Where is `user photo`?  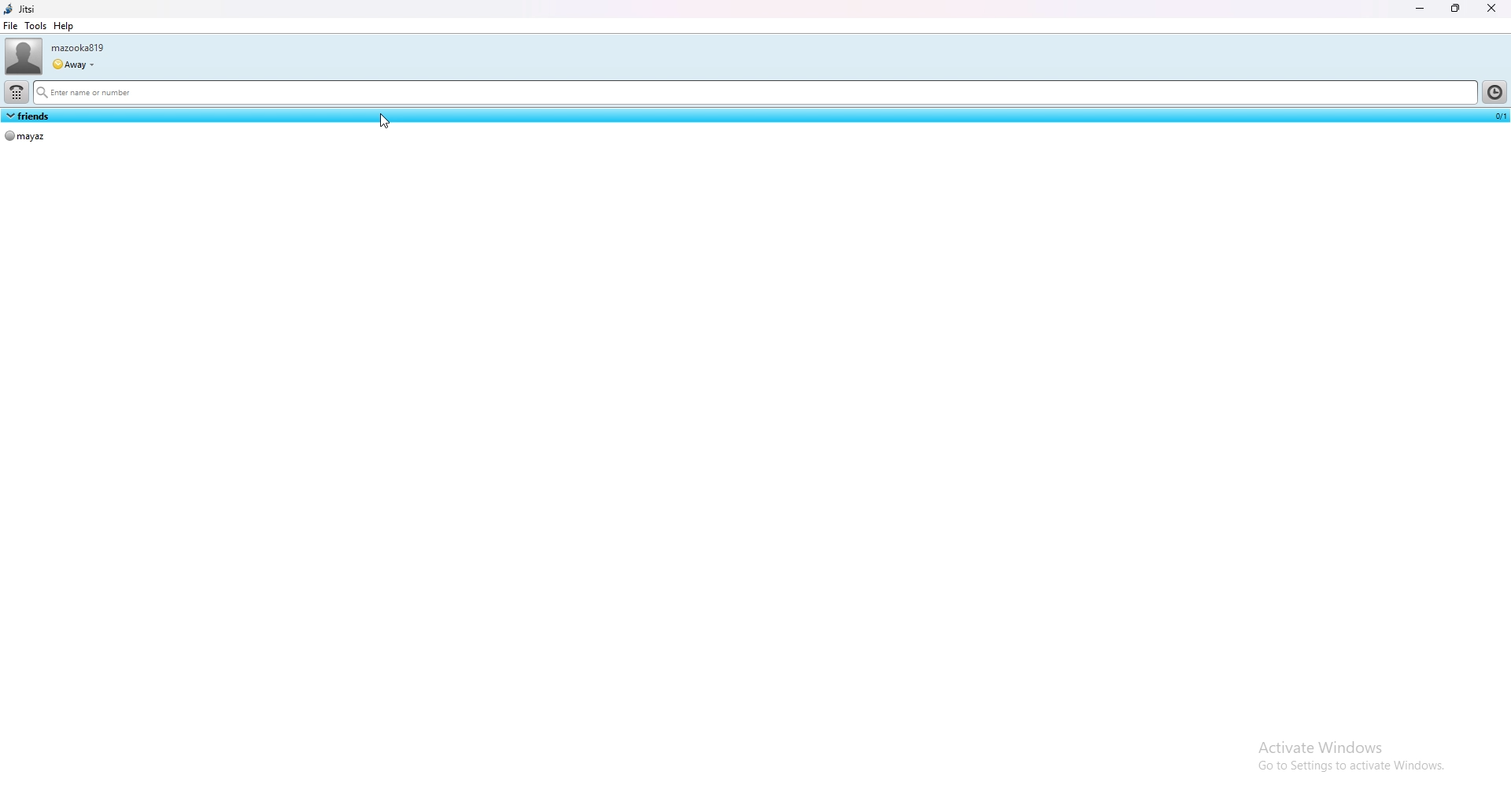 user photo is located at coordinates (24, 56).